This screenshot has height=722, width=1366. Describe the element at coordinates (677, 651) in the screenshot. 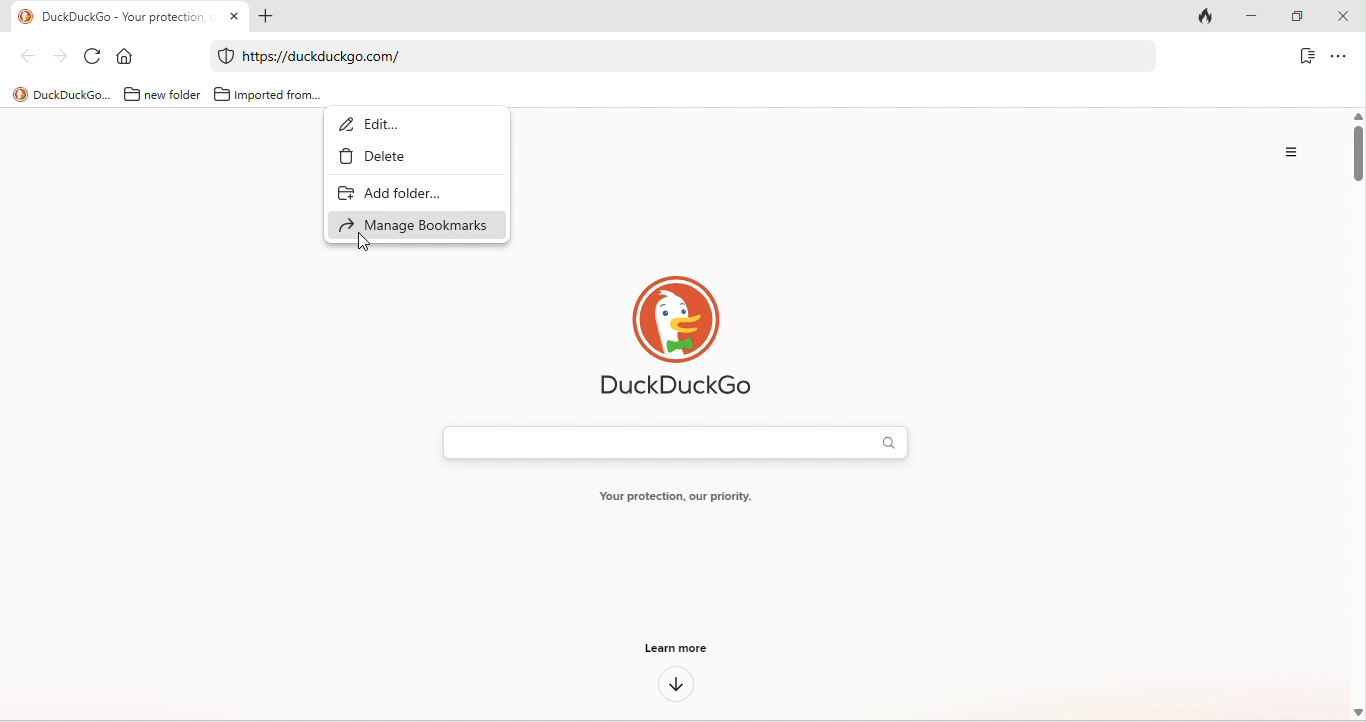

I see `learn more` at that location.